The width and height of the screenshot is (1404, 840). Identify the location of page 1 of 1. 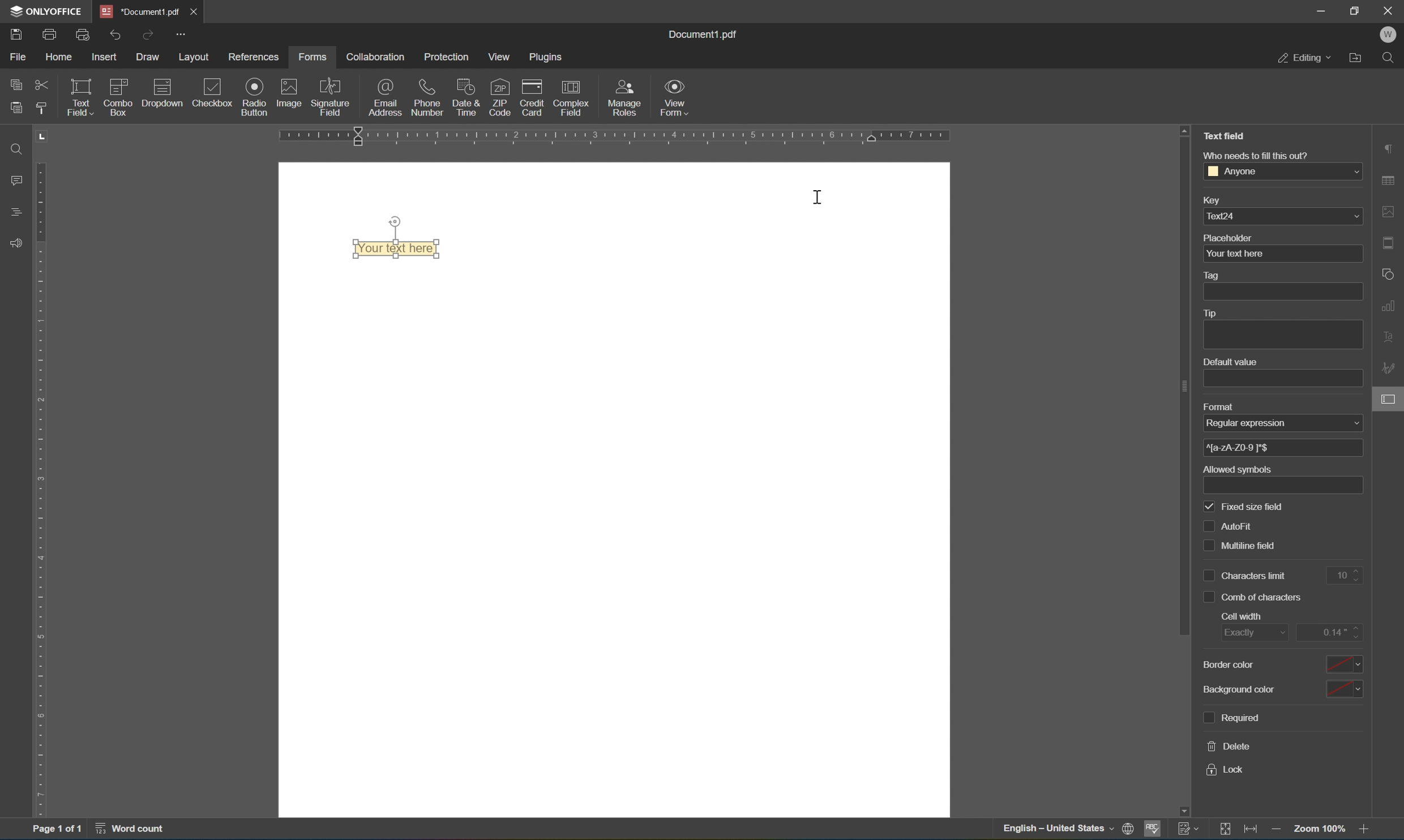
(55, 830).